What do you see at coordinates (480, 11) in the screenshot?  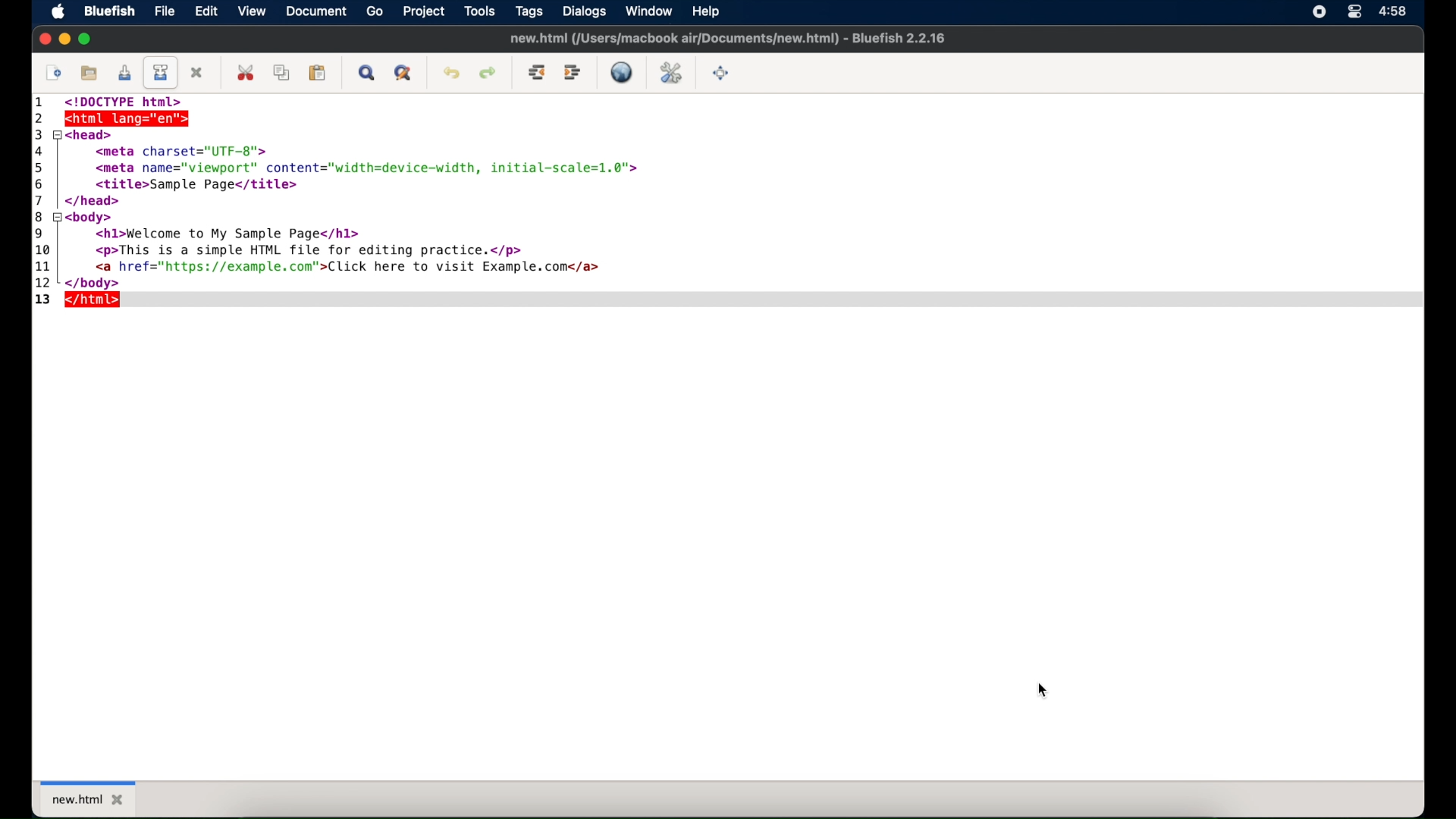 I see `tools` at bounding box center [480, 11].